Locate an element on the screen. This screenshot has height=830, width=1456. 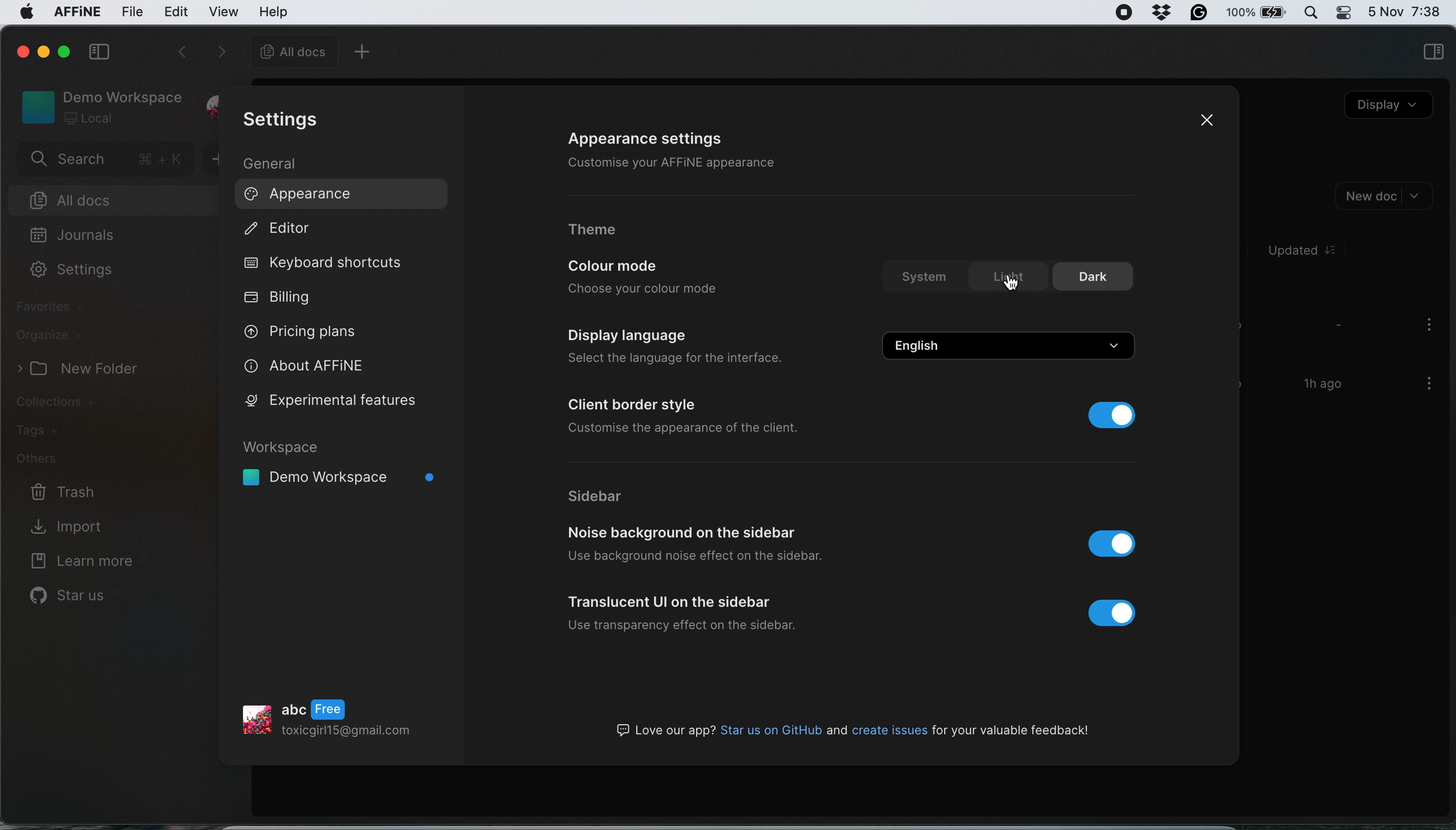
choose your colour mode is located at coordinates (641, 290).